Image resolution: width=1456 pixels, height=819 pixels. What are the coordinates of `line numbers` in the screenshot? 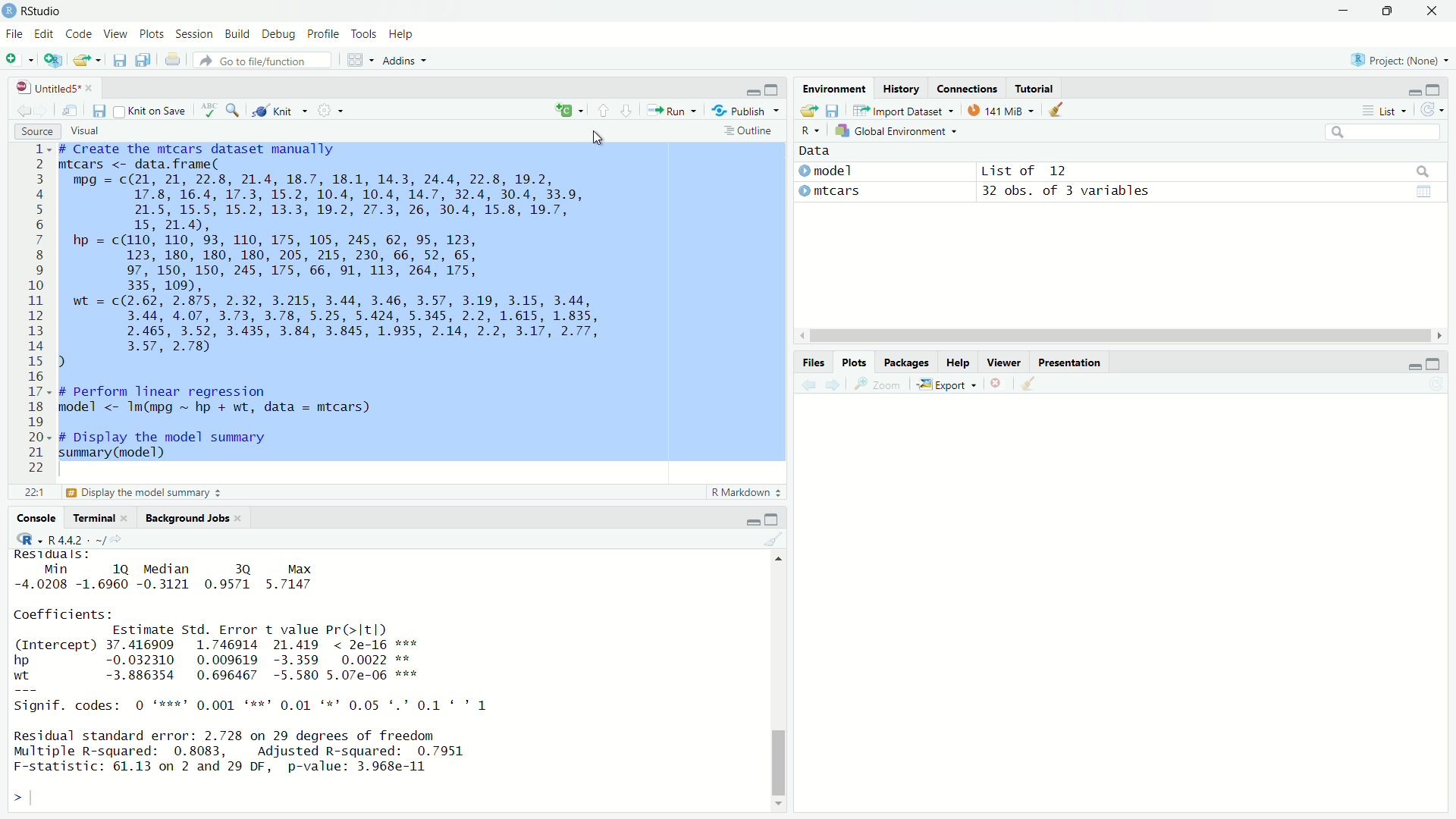 It's located at (38, 309).